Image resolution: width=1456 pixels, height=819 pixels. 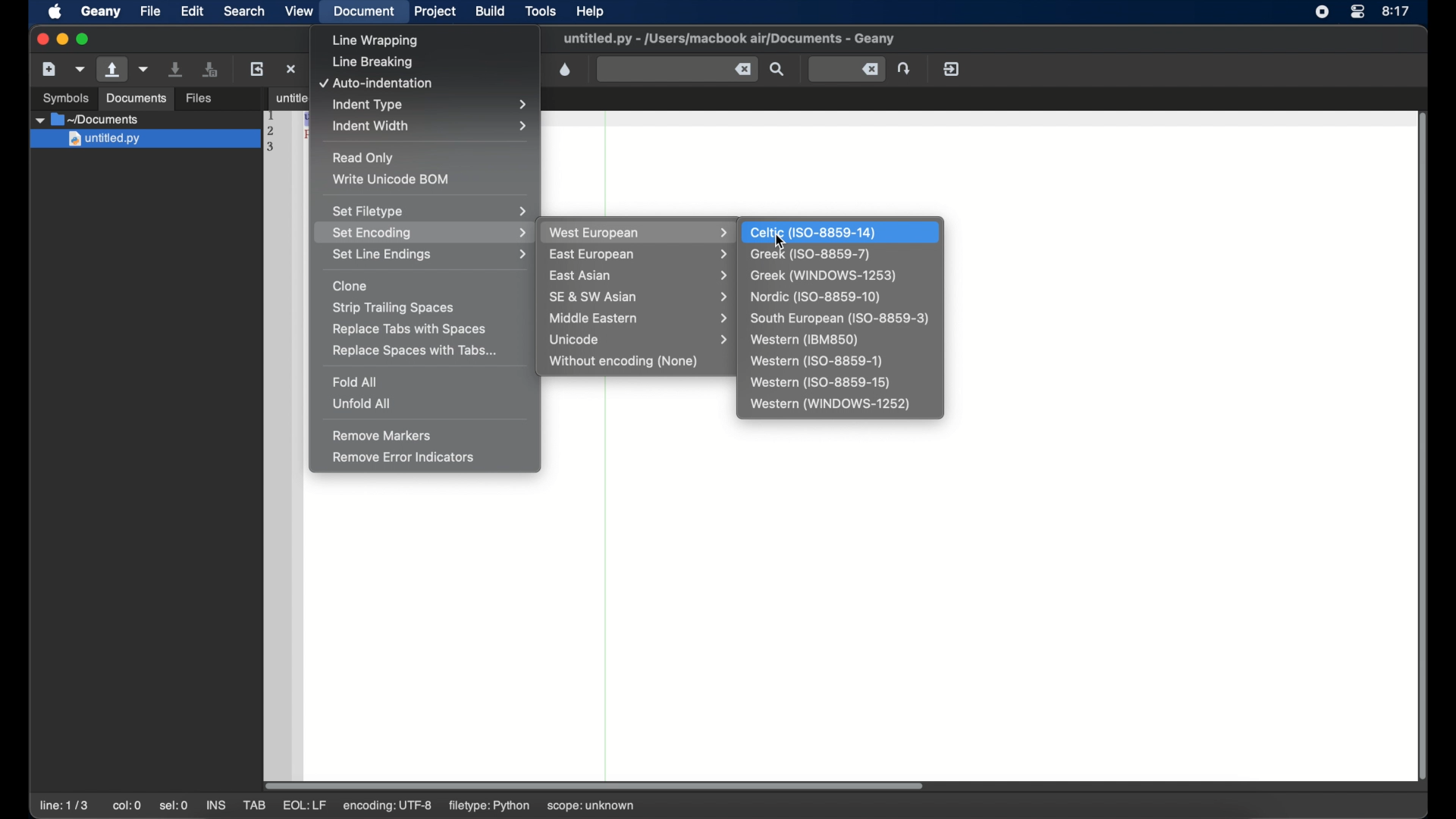 What do you see at coordinates (256, 68) in the screenshot?
I see `reload the current file from disk` at bounding box center [256, 68].